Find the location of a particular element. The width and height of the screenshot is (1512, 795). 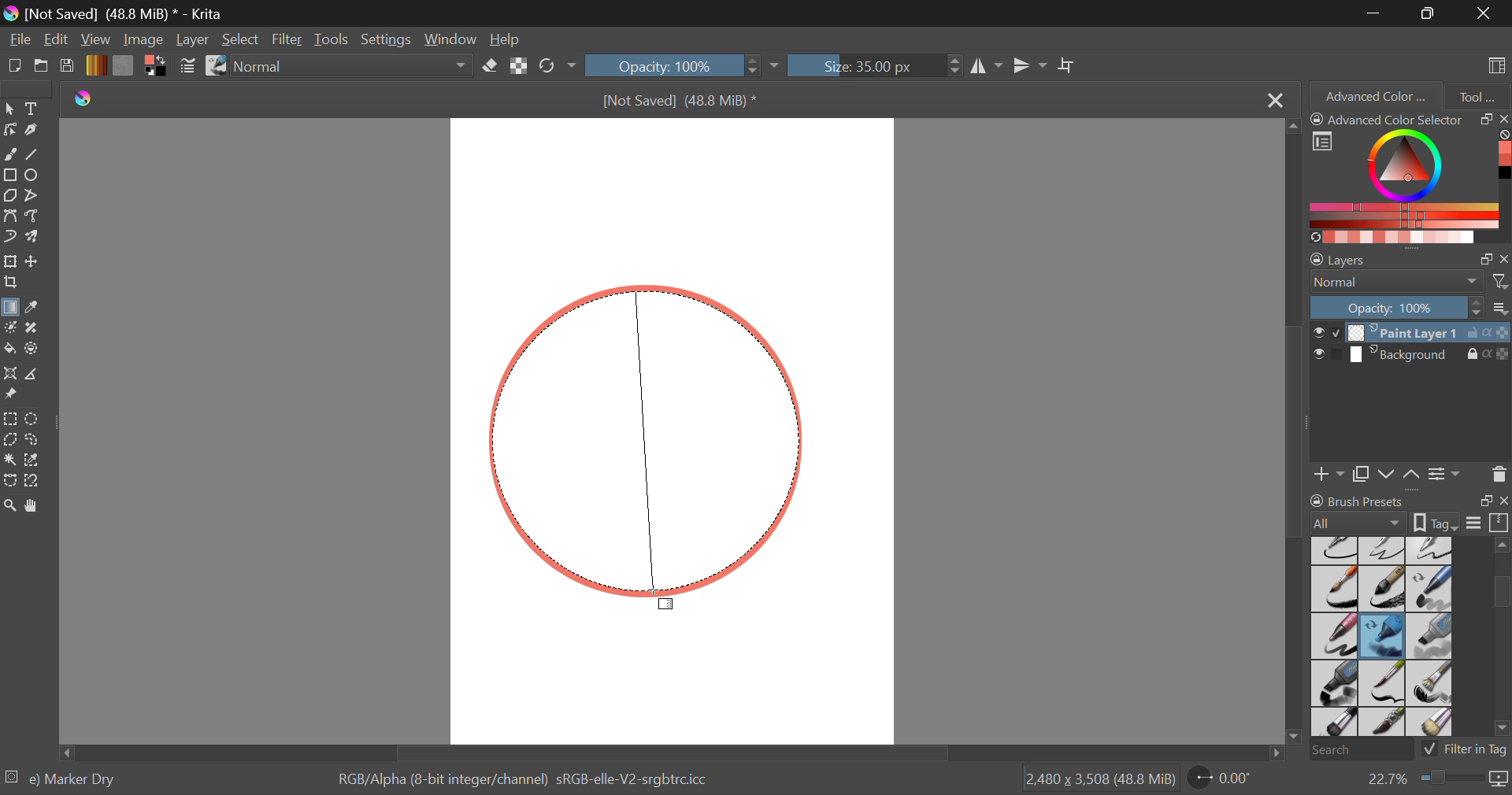

Gradient Fill Line is located at coordinates (650, 433).